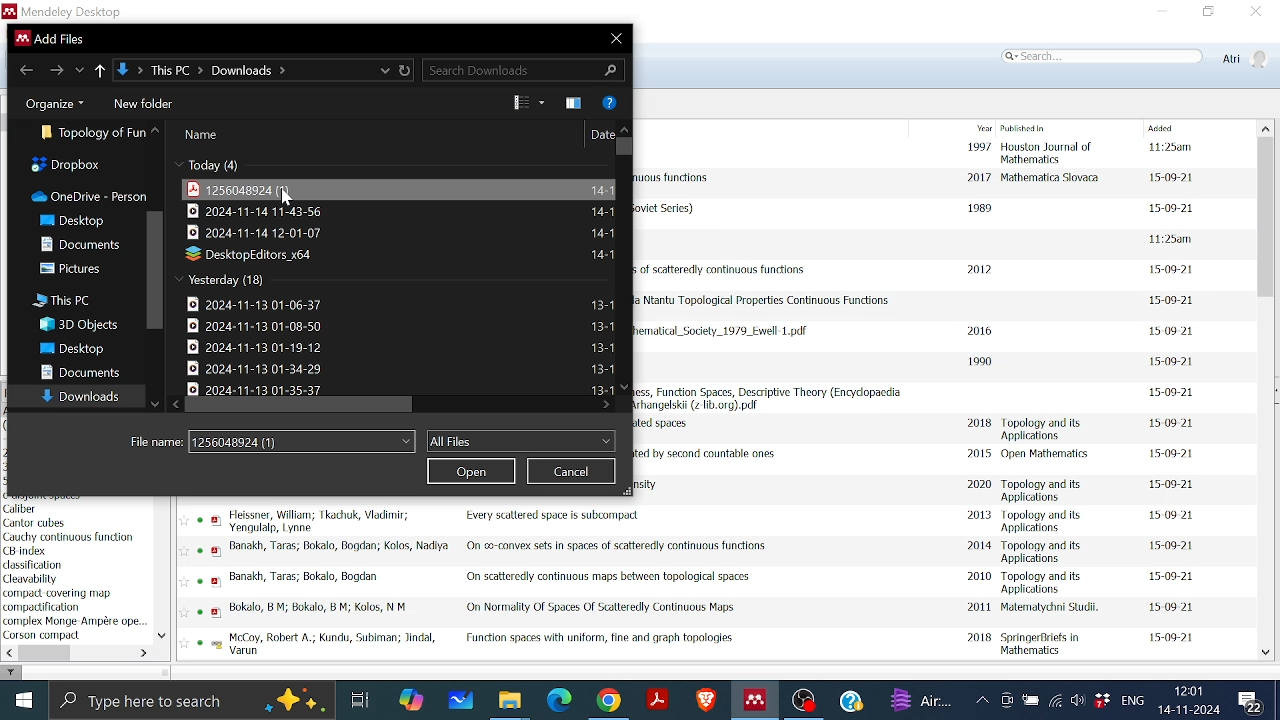 Image resolution: width=1280 pixels, height=720 pixels. I want to click on File, so click(254, 349).